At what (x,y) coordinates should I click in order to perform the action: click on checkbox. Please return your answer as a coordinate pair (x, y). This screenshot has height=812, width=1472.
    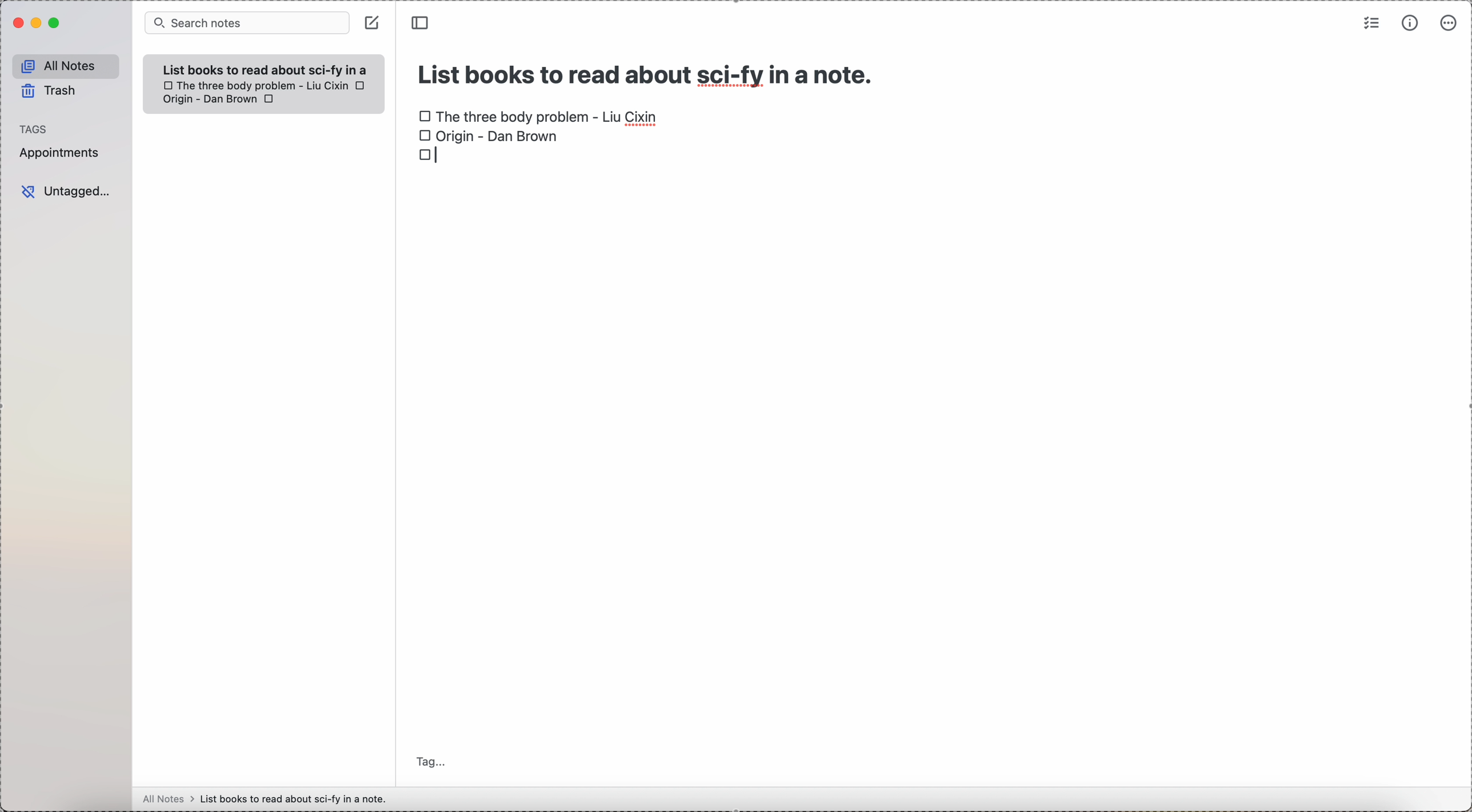
    Looking at the image, I should click on (362, 86).